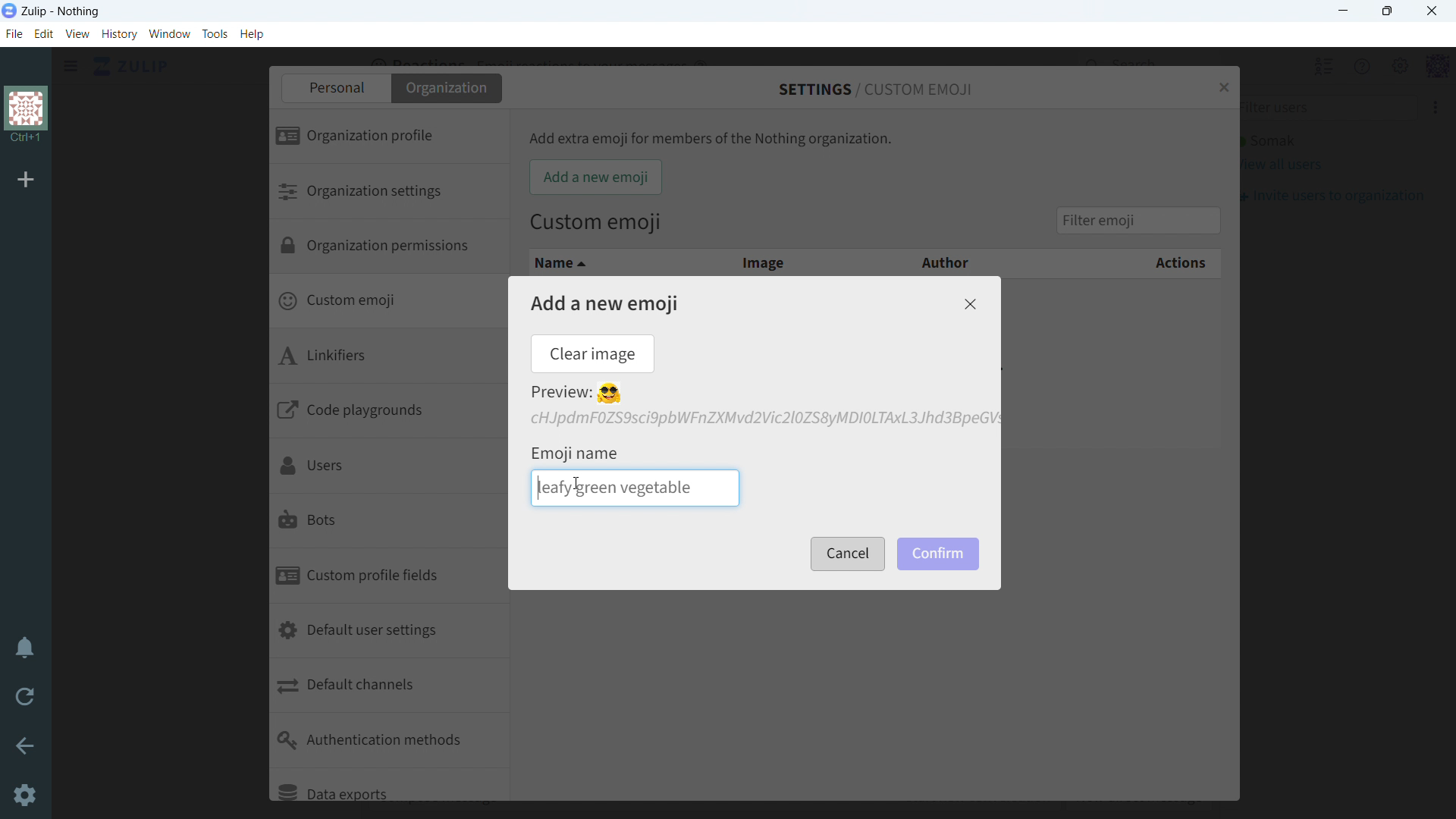 This screenshot has height=819, width=1456. What do you see at coordinates (576, 451) in the screenshot?
I see `emoji name` at bounding box center [576, 451].